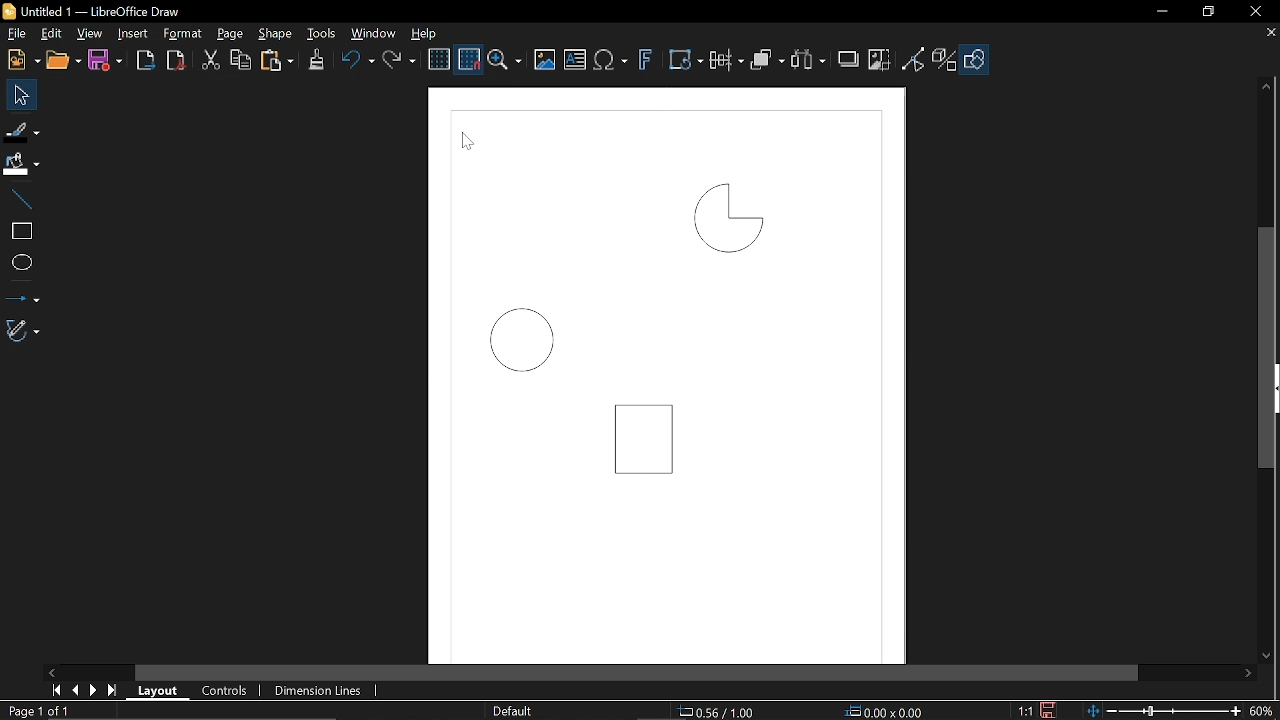 The height and width of the screenshot is (720, 1280). What do you see at coordinates (633, 672) in the screenshot?
I see `Horizontal scrollbar` at bounding box center [633, 672].